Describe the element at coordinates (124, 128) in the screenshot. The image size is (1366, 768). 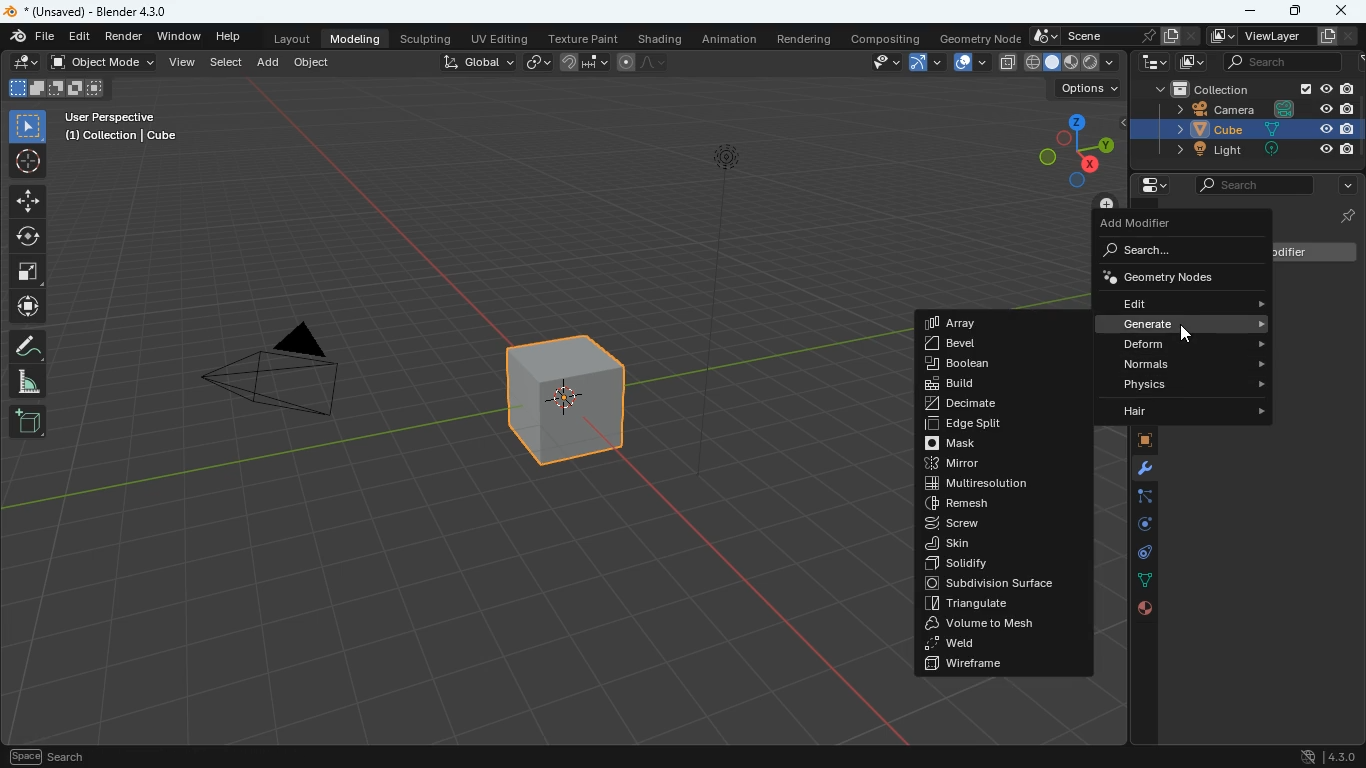
I see `user perspective` at that location.